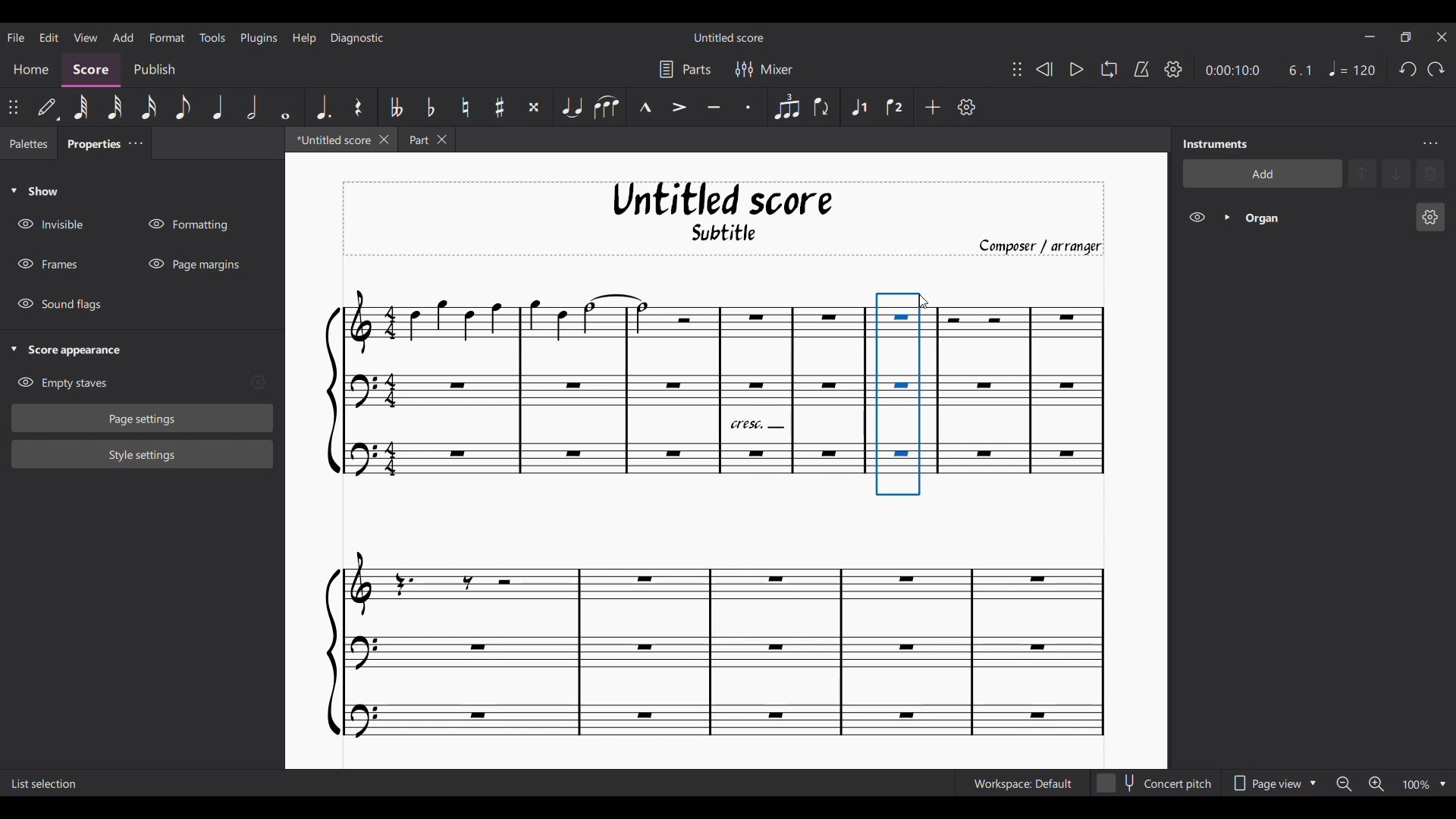 The image size is (1456, 819). What do you see at coordinates (1436, 68) in the screenshot?
I see `Redo` at bounding box center [1436, 68].